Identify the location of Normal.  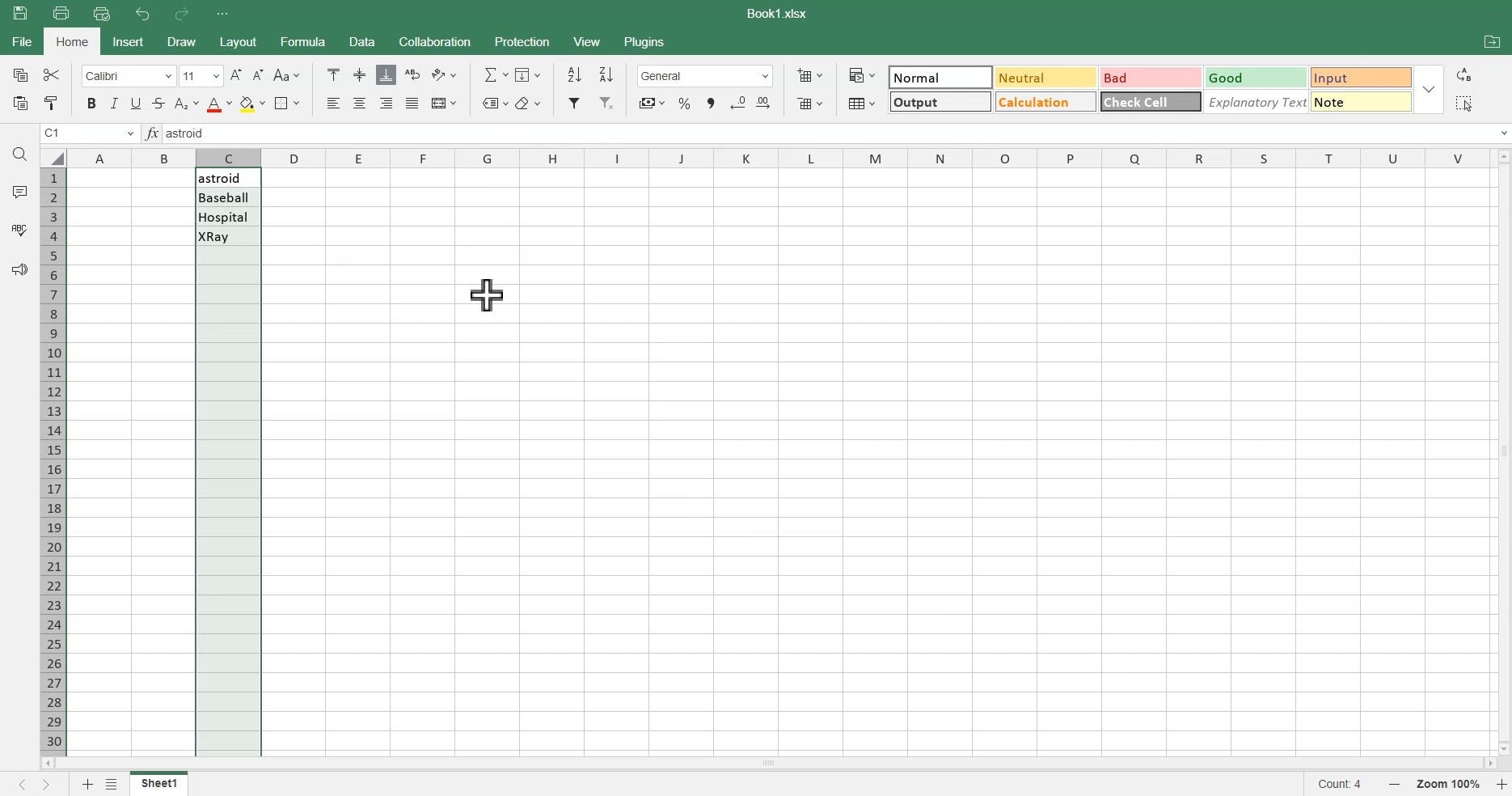
(940, 76).